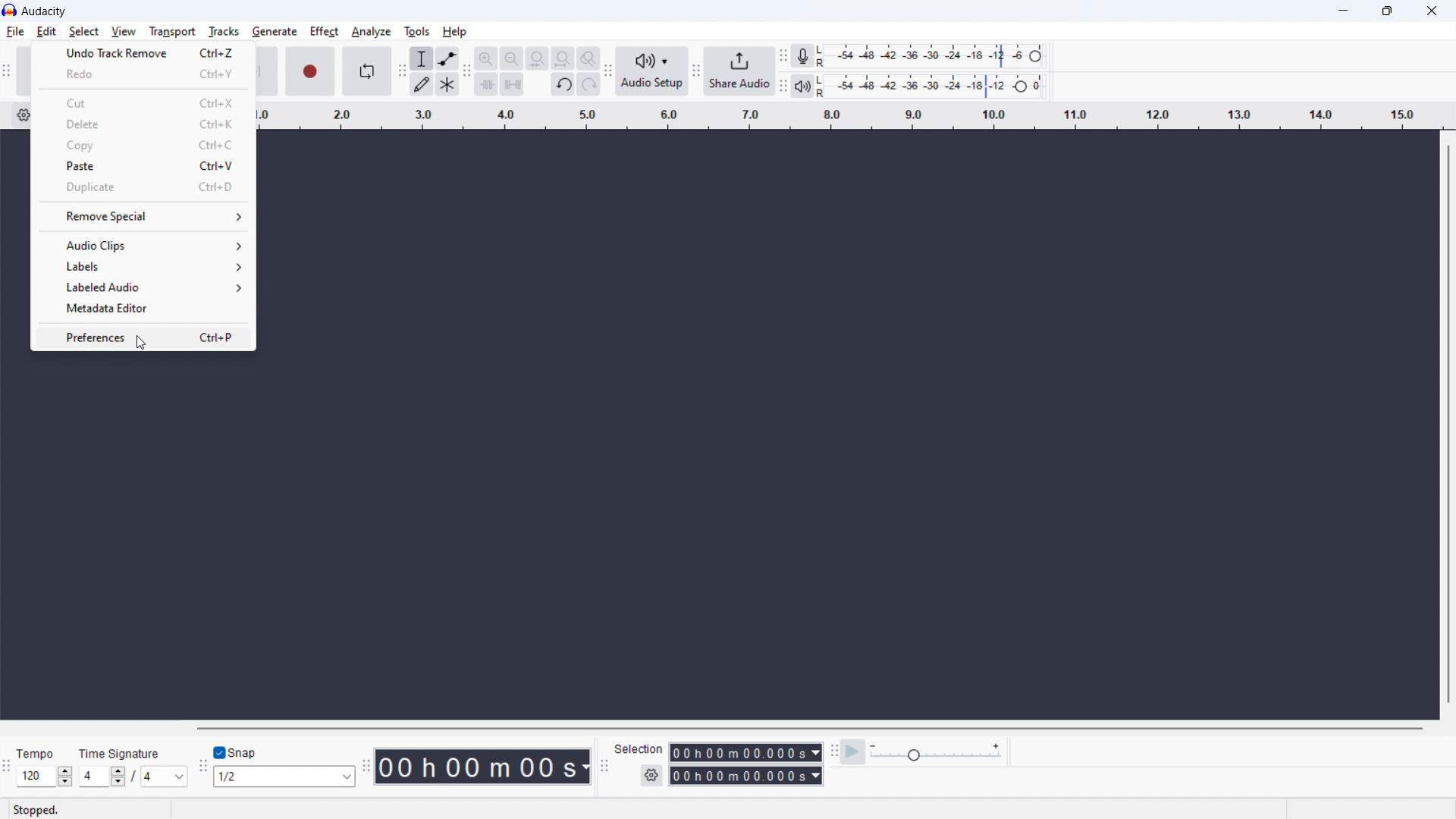  What do you see at coordinates (783, 86) in the screenshot?
I see `Enables movement of playback meter toolbar` at bounding box center [783, 86].